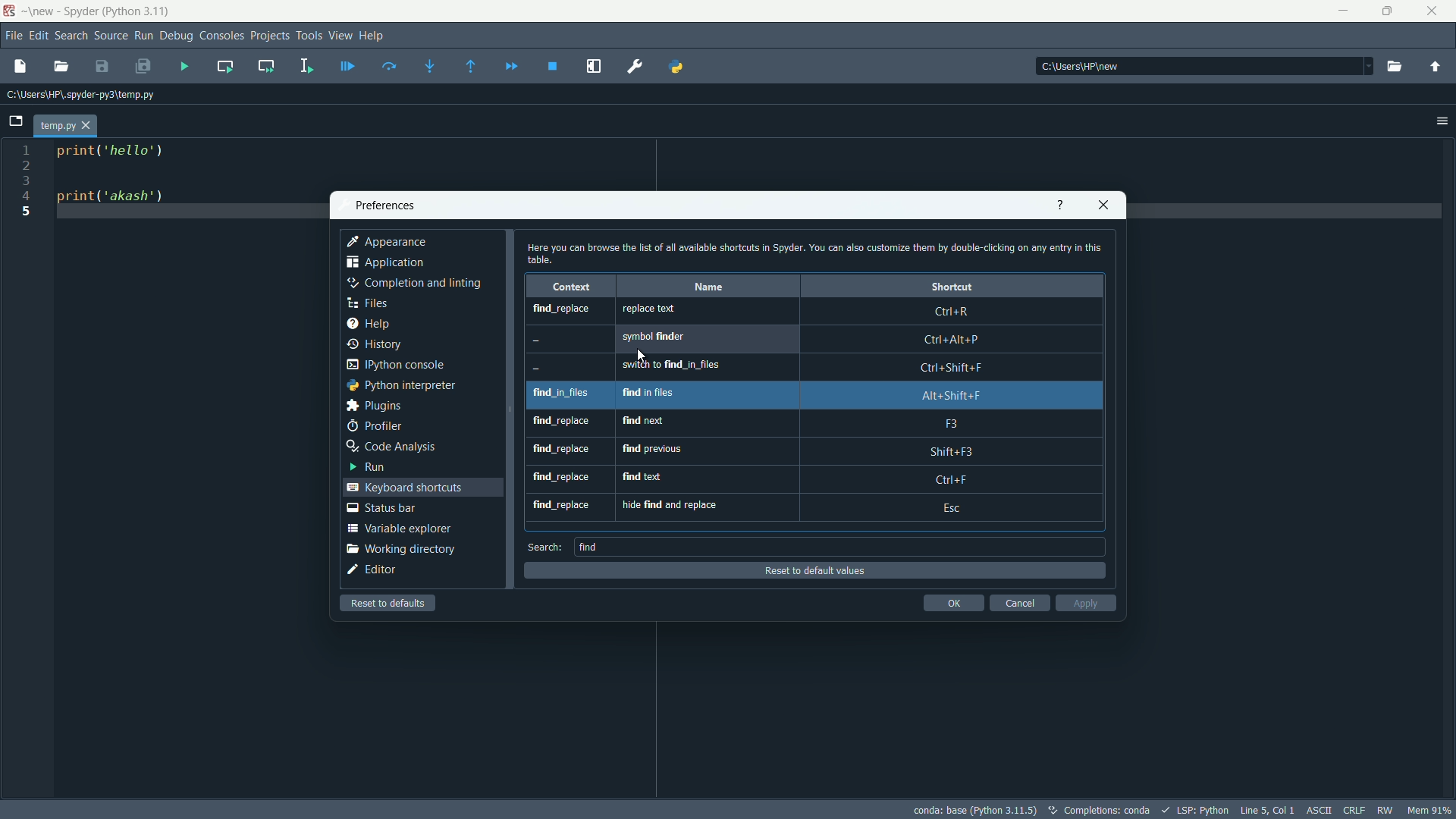 This screenshot has width=1456, height=819. Describe the element at coordinates (1436, 67) in the screenshot. I see `open parent directory` at that location.